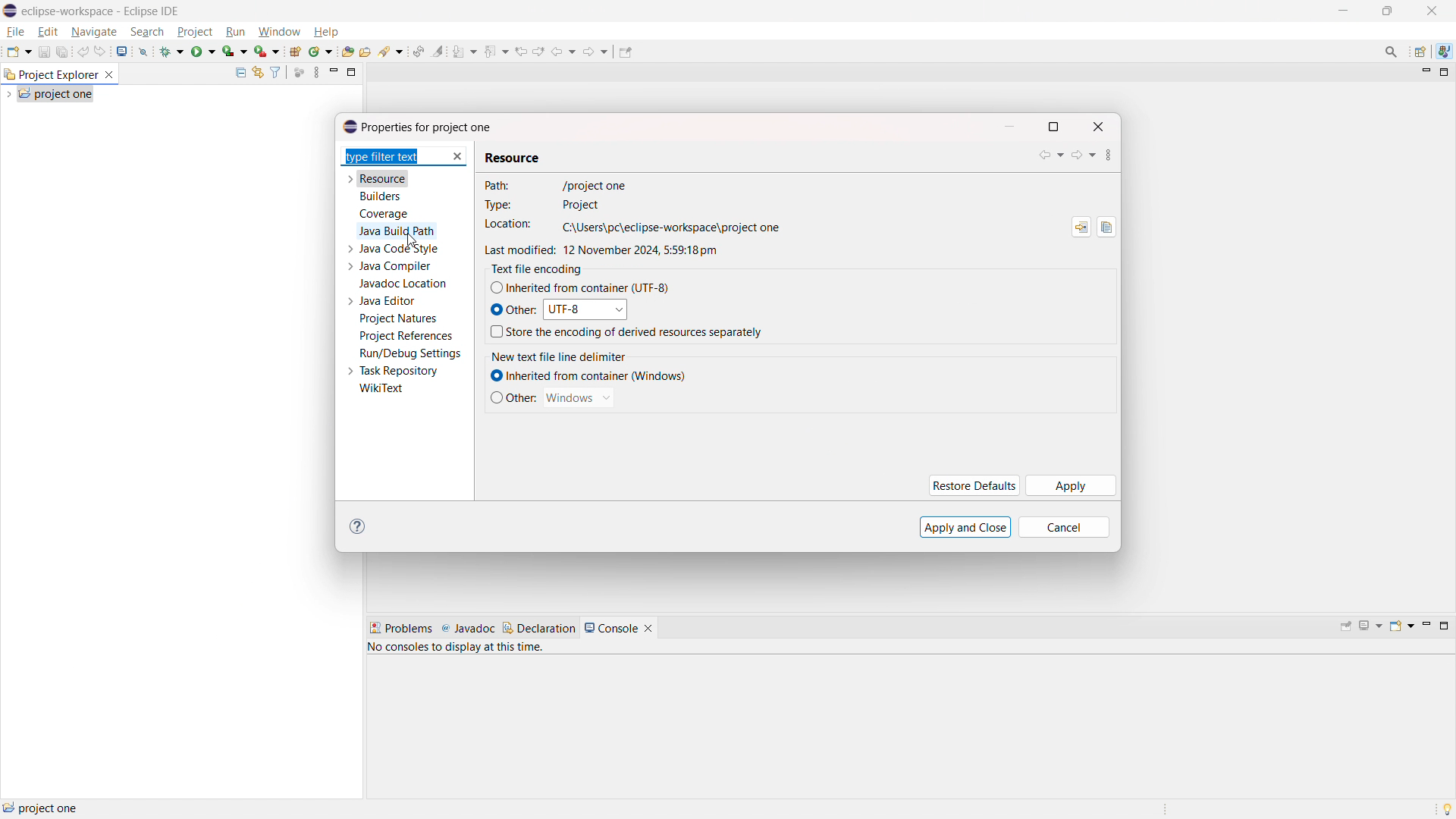  Describe the element at coordinates (1388, 11) in the screenshot. I see `minimize` at that location.